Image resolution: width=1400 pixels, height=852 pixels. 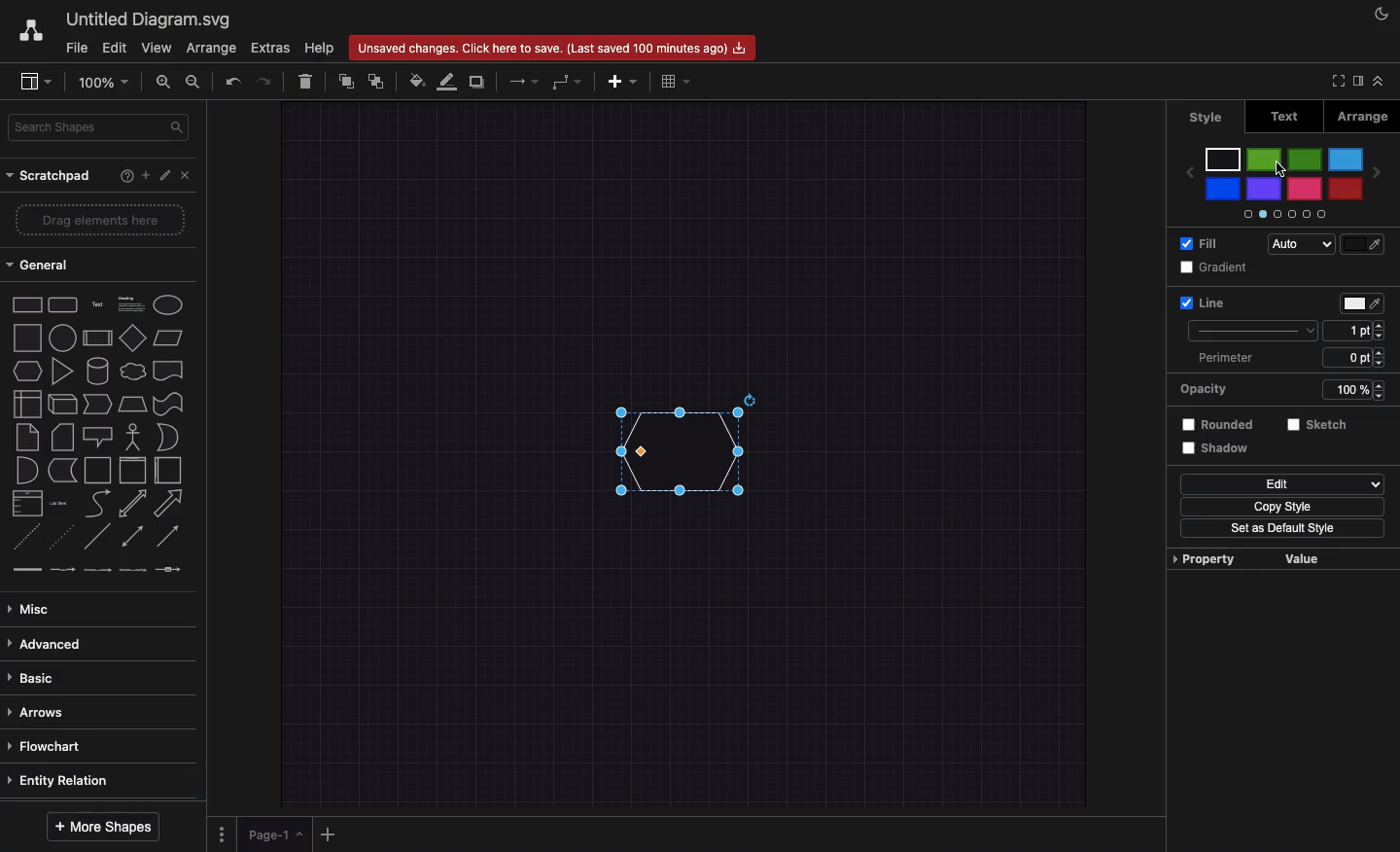 What do you see at coordinates (673, 84) in the screenshot?
I see `Table` at bounding box center [673, 84].